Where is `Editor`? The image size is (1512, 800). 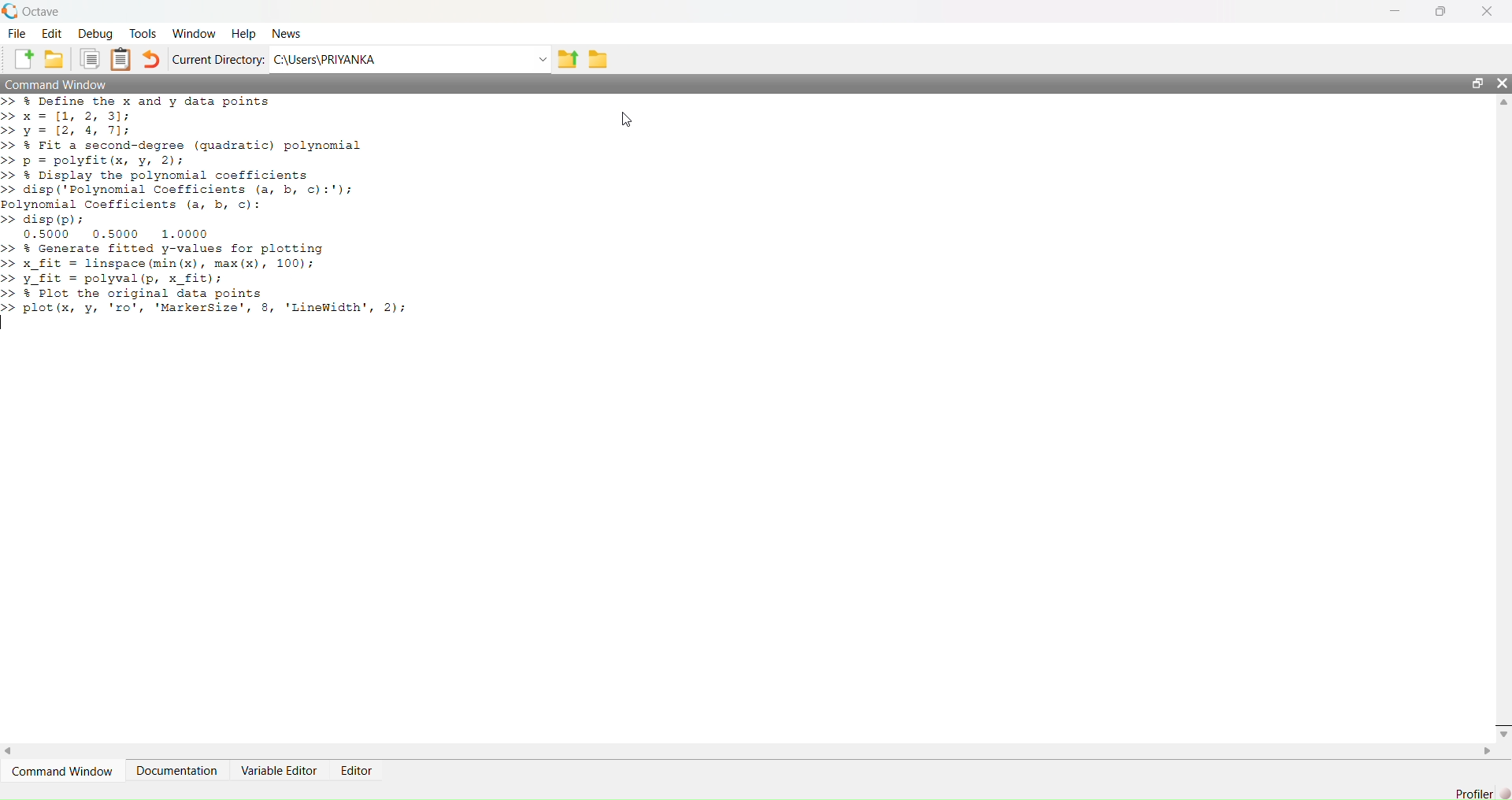
Editor is located at coordinates (358, 772).